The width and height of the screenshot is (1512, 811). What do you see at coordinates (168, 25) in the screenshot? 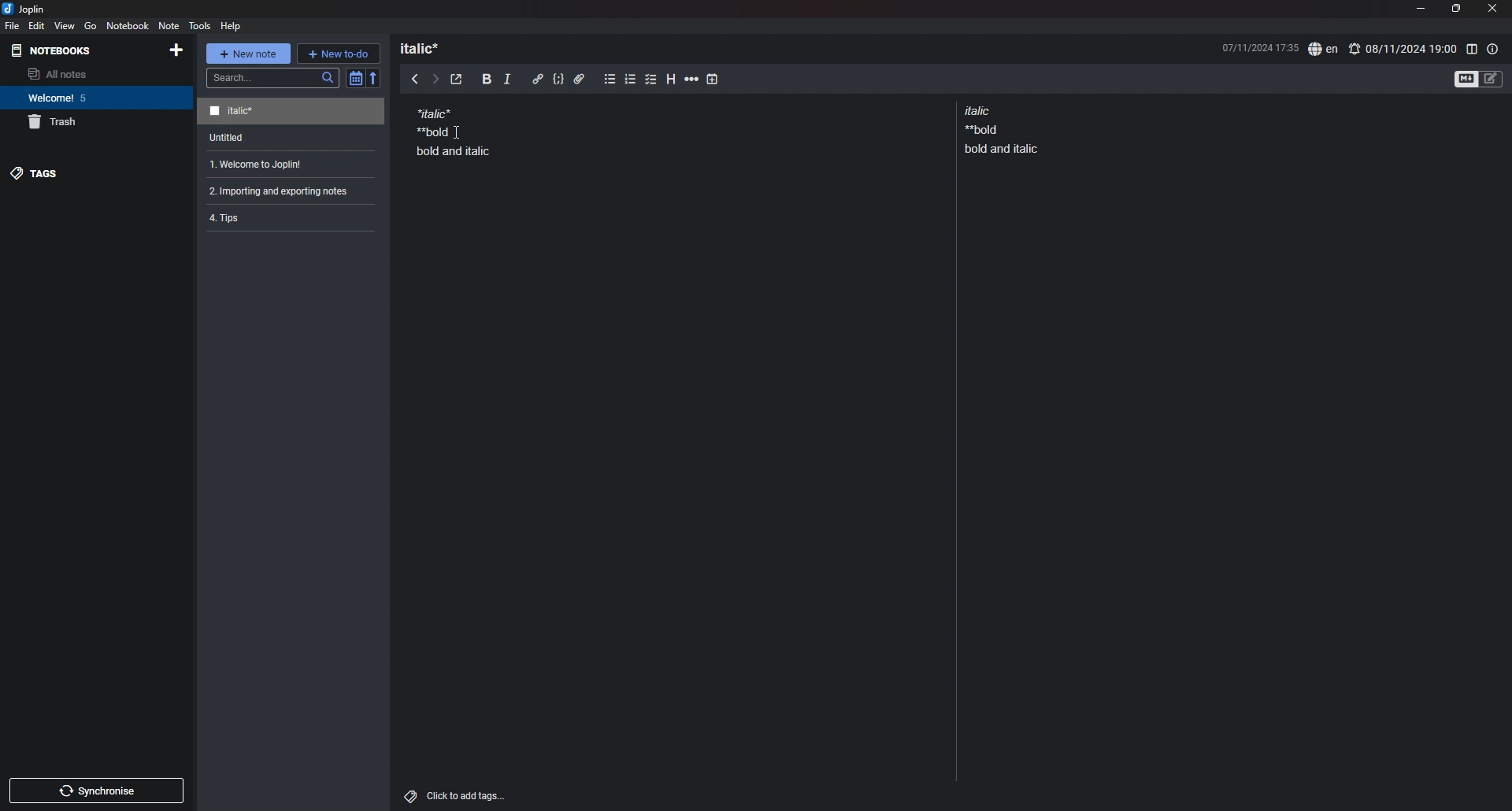
I see `note` at bounding box center [168, 25].